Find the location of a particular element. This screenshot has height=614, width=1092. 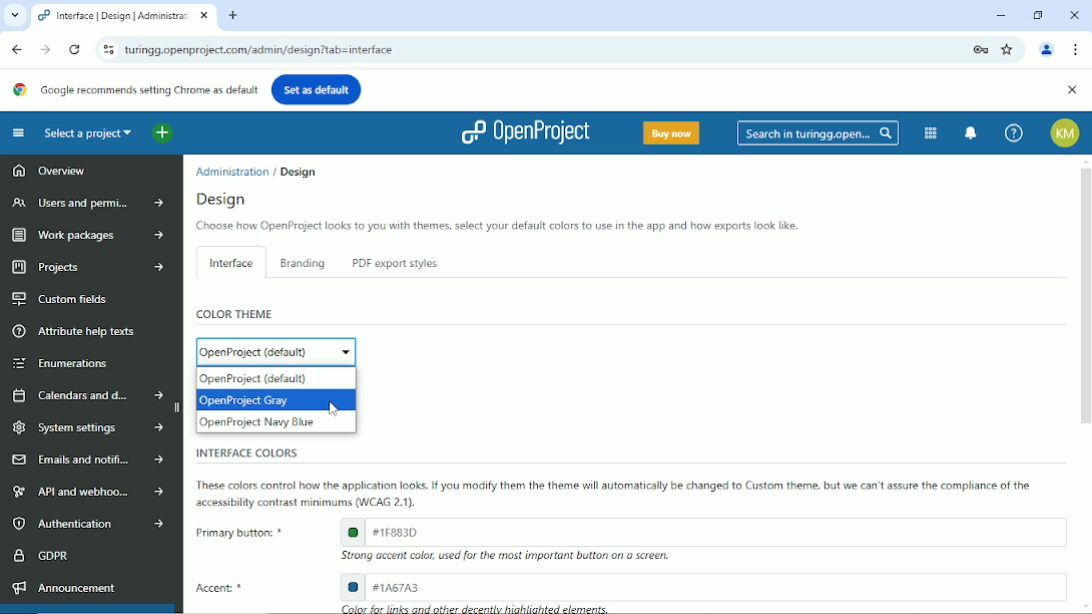

Design is located at coordinates (226, 199).